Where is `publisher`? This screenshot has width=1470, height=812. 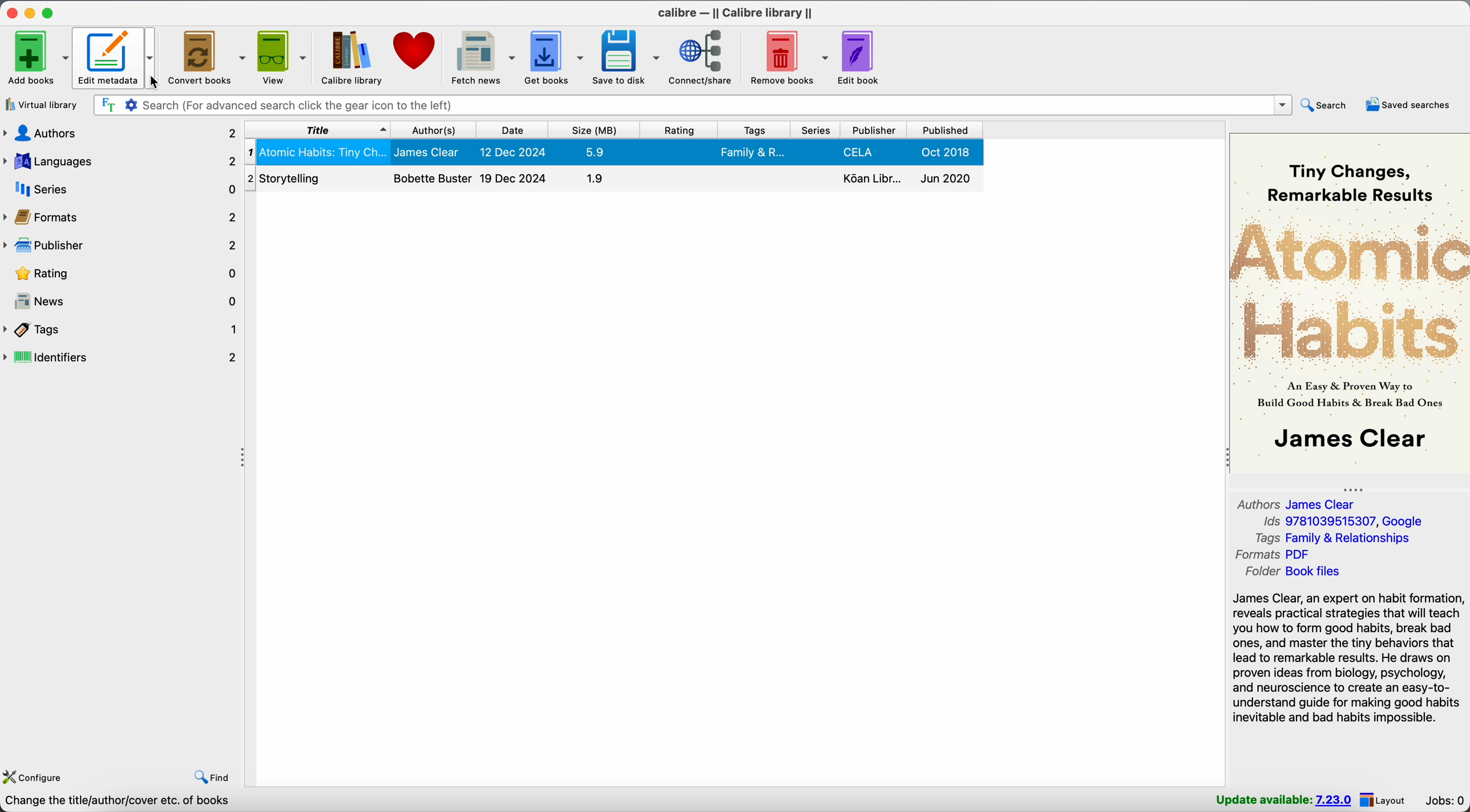
publisher is located at coordinates (875, 131).